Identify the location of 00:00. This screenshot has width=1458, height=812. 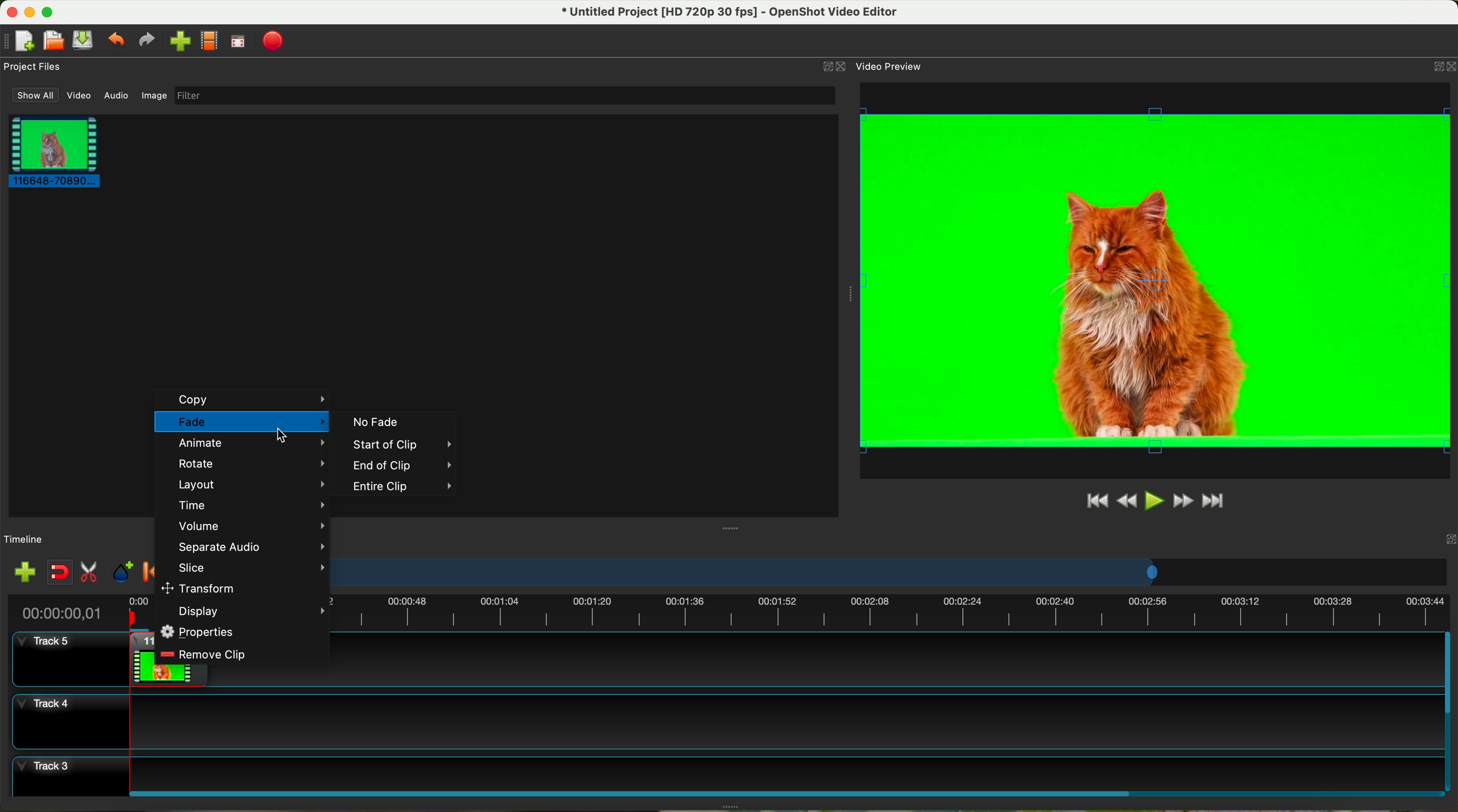
(140, 612).